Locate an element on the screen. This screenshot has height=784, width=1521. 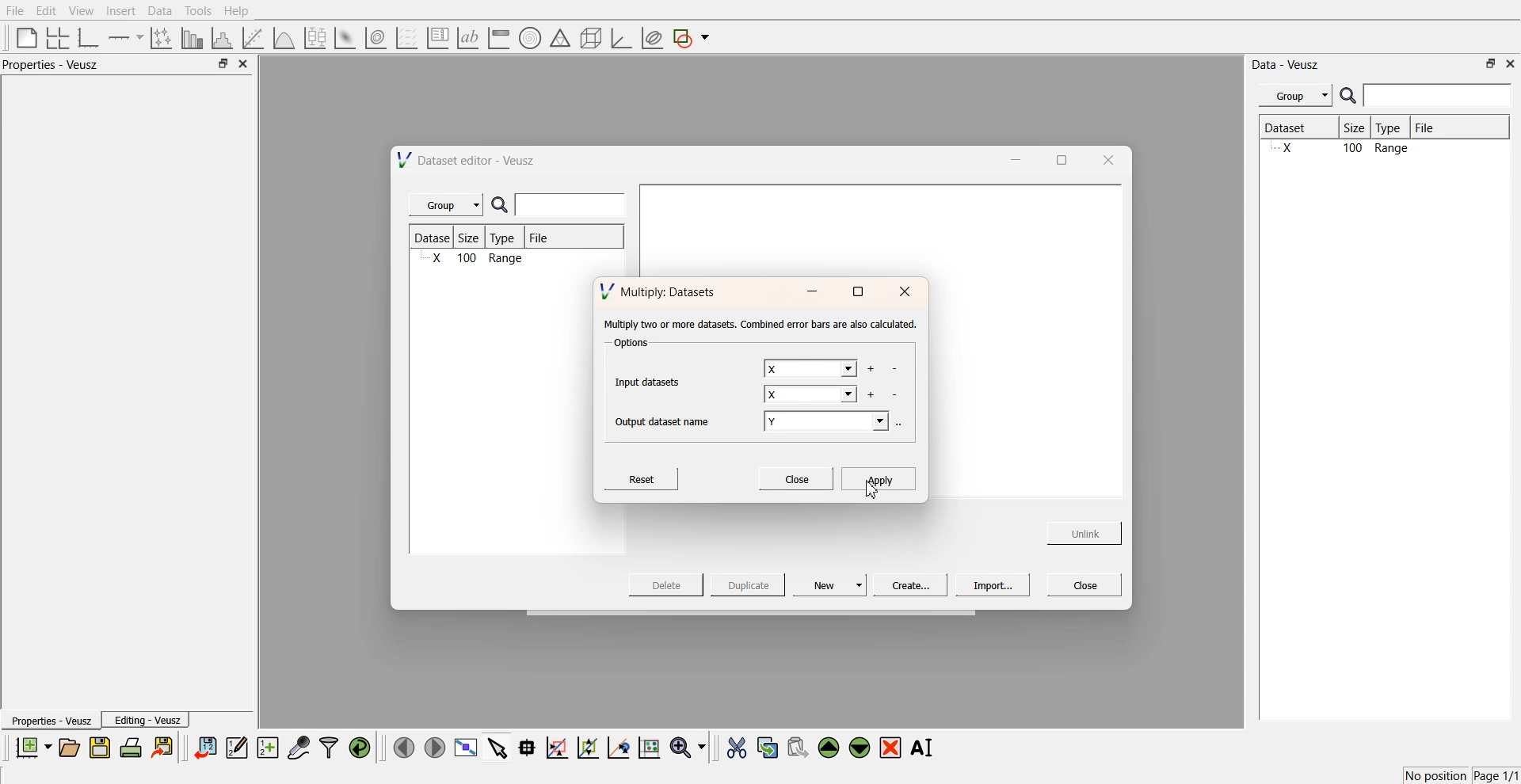
recenter the graph axes is located at coordinates (618, 747).